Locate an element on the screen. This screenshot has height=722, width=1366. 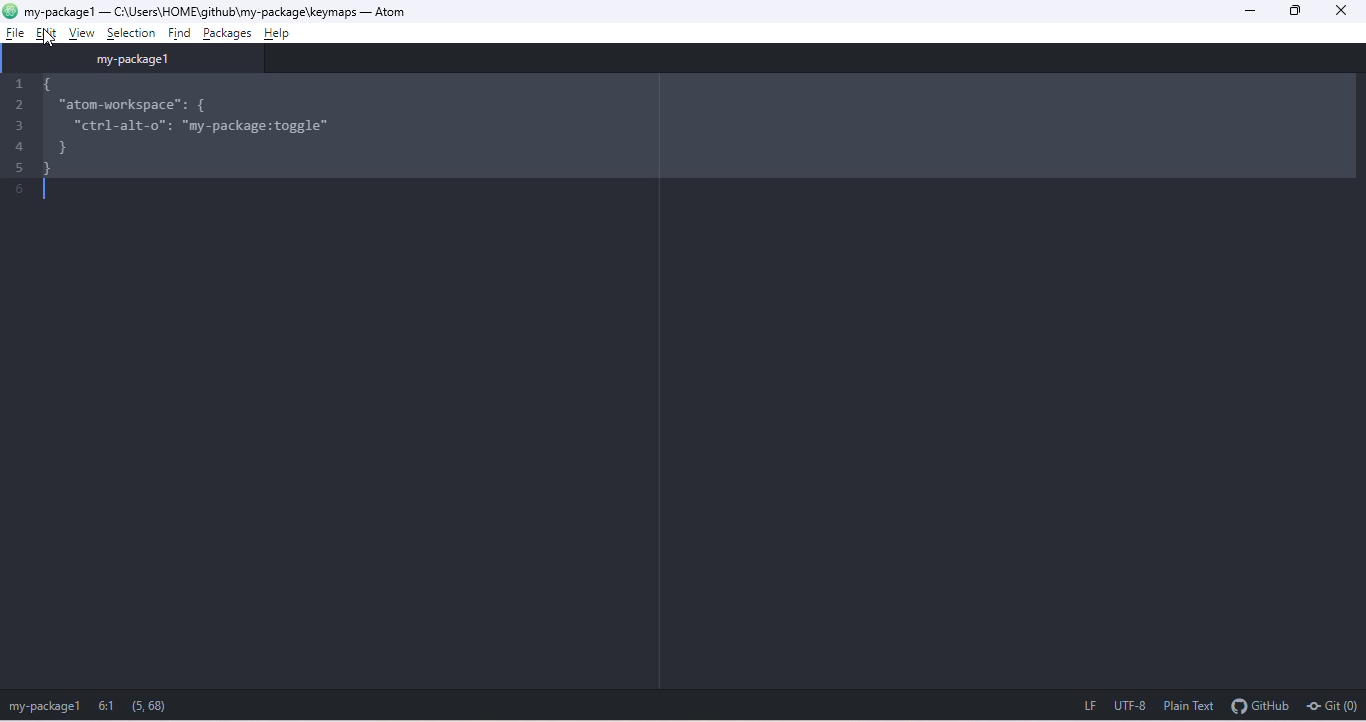
typing cursor is located at coordinates (46, 192).